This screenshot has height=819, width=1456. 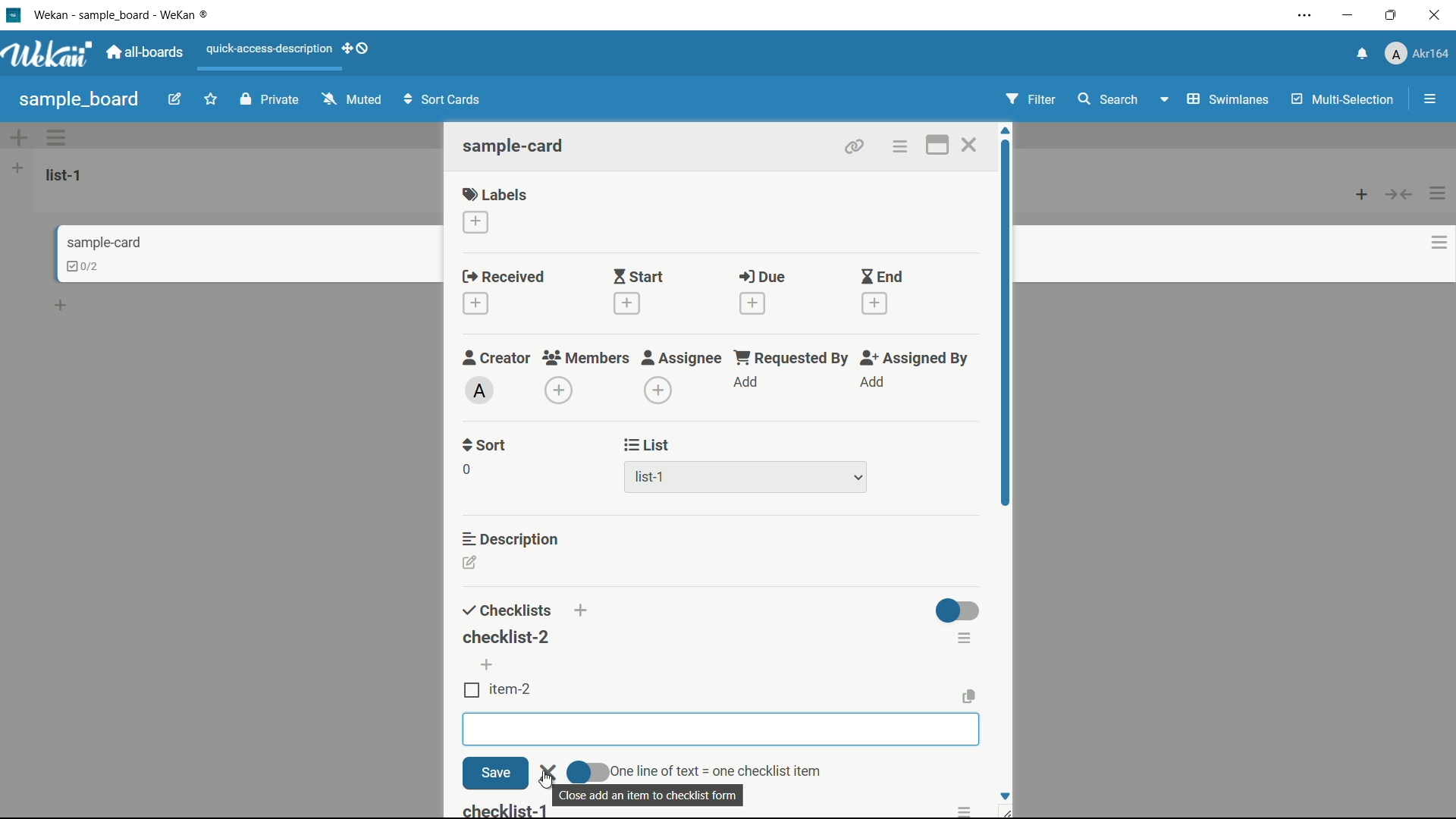 What do you see at coordinates (17, 137) in the screenshot?
I see `add swimlane` at bounding box center [17, 137].